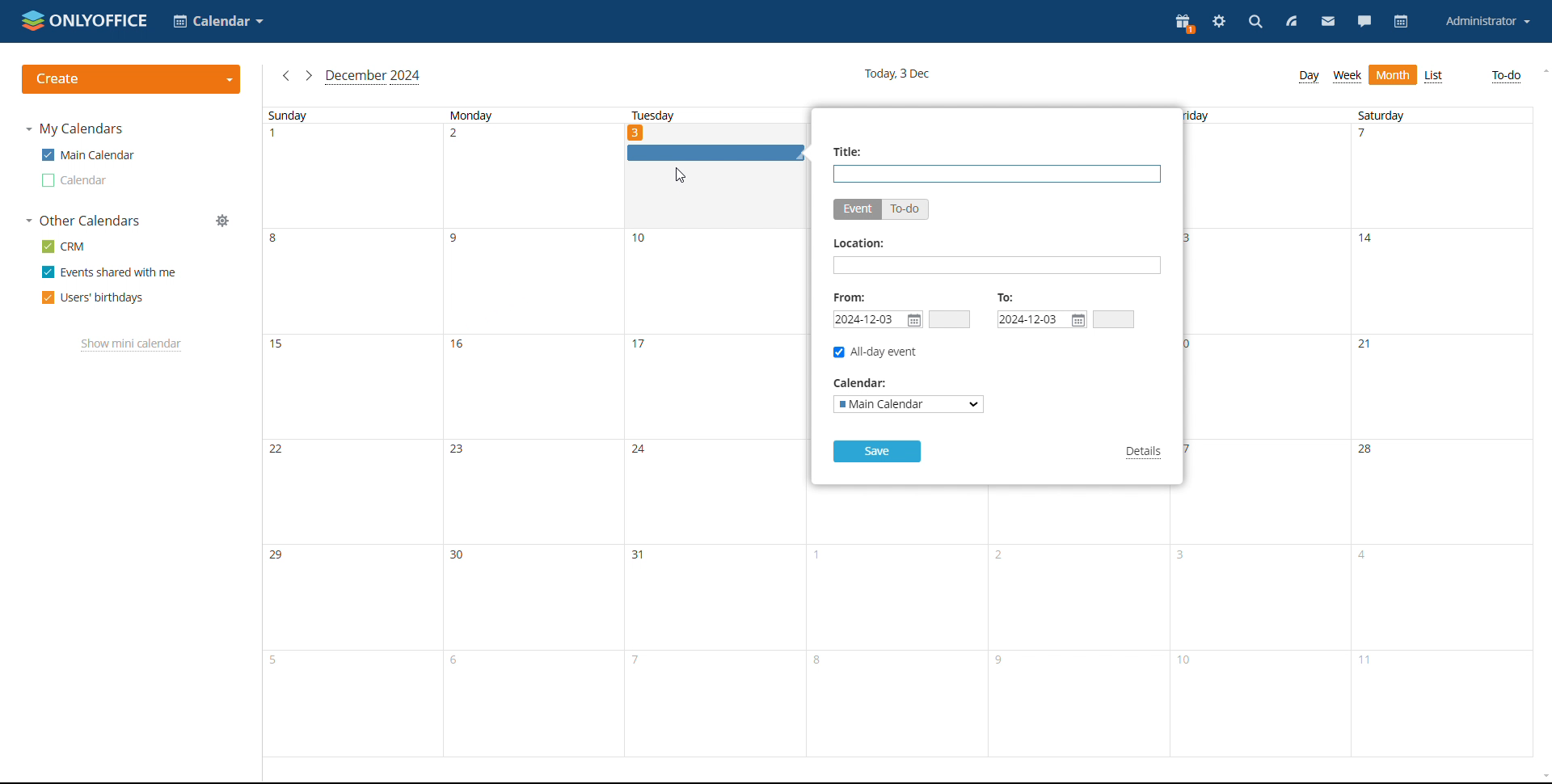  What do you see at coordinates (855, 209) in the screenshot?
I see `event` at bounding box center [855, 209].